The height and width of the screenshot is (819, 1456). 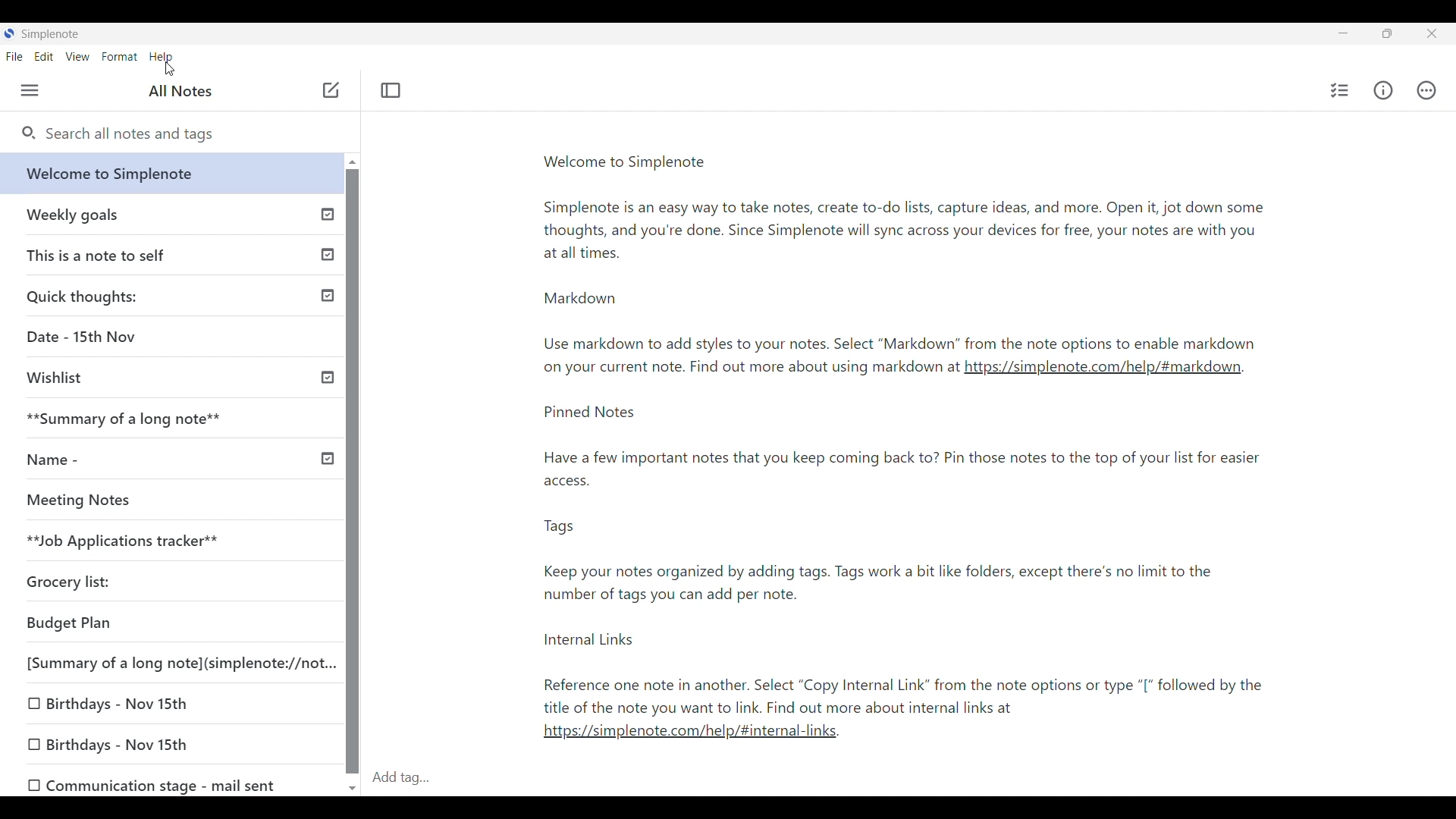 What do you see at coordinates (329, 257) in the screenshot?
I see `Published` at bounding box center [329, 257].